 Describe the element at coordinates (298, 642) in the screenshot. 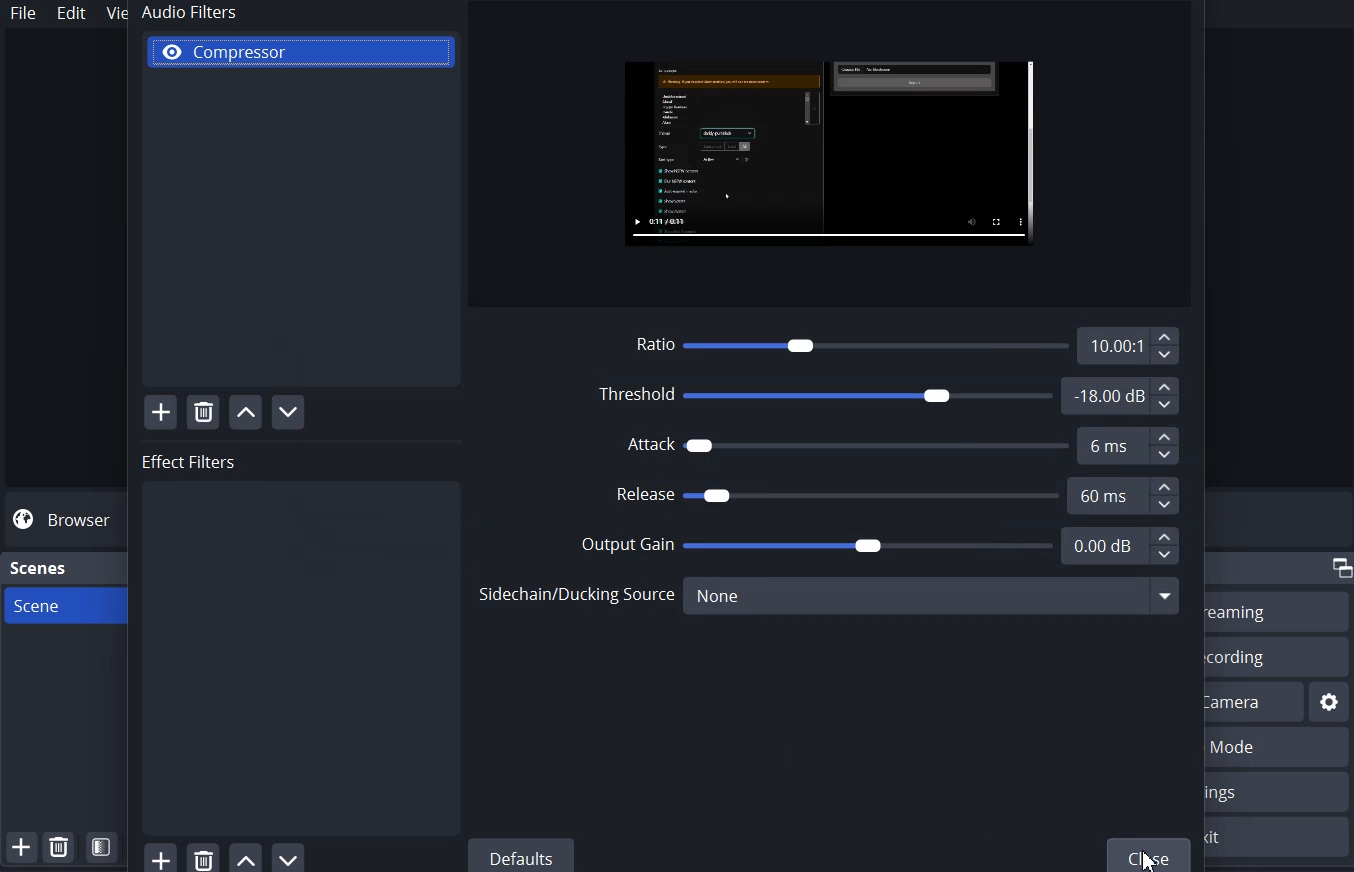

I see `Effect Filters` at that location.